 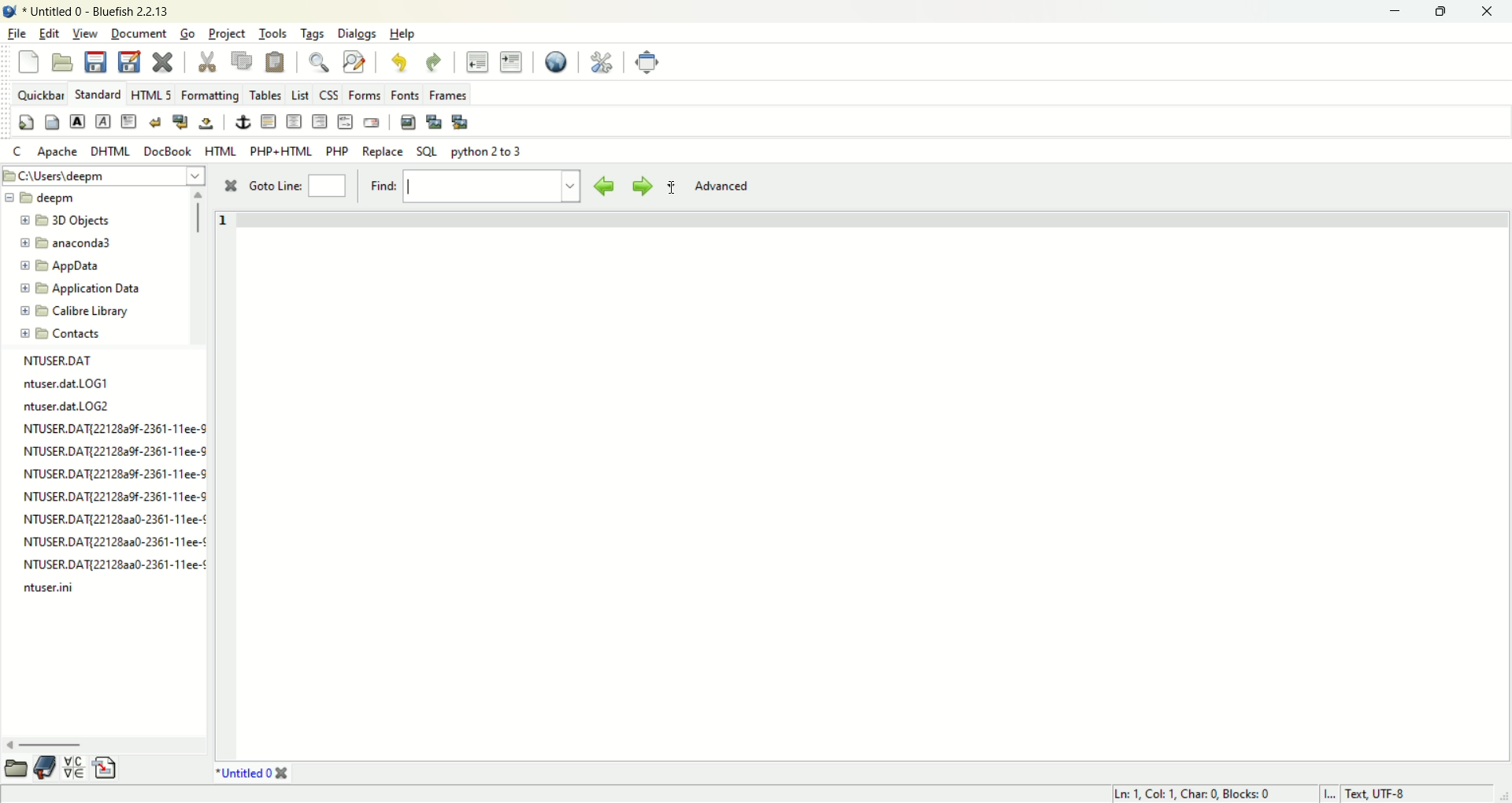 I want to click on cursor, so click(x=676, y=191).